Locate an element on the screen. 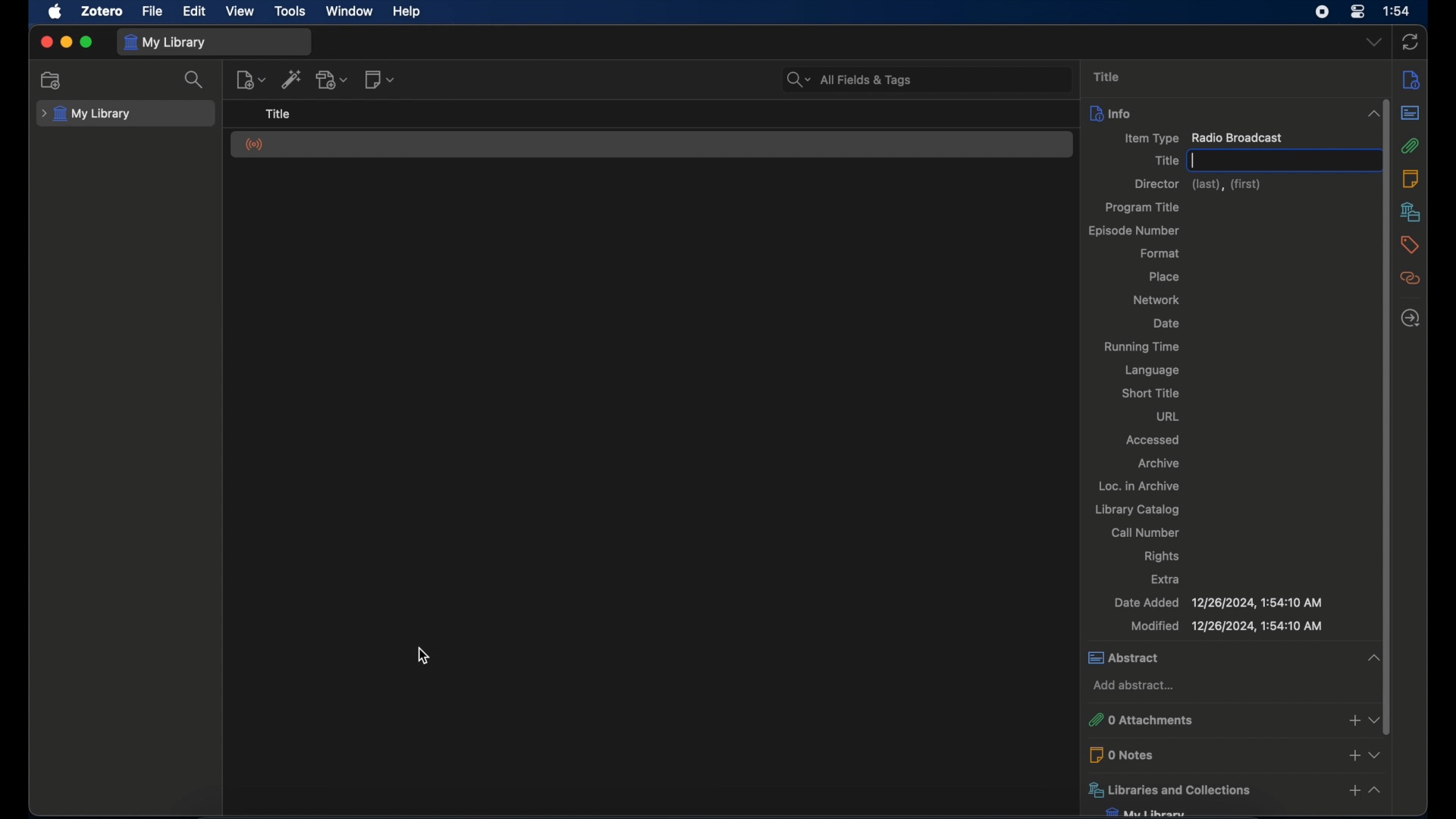 The width and height of the screenshot is (1456, 819). new item is located at coordinates (250, 79).